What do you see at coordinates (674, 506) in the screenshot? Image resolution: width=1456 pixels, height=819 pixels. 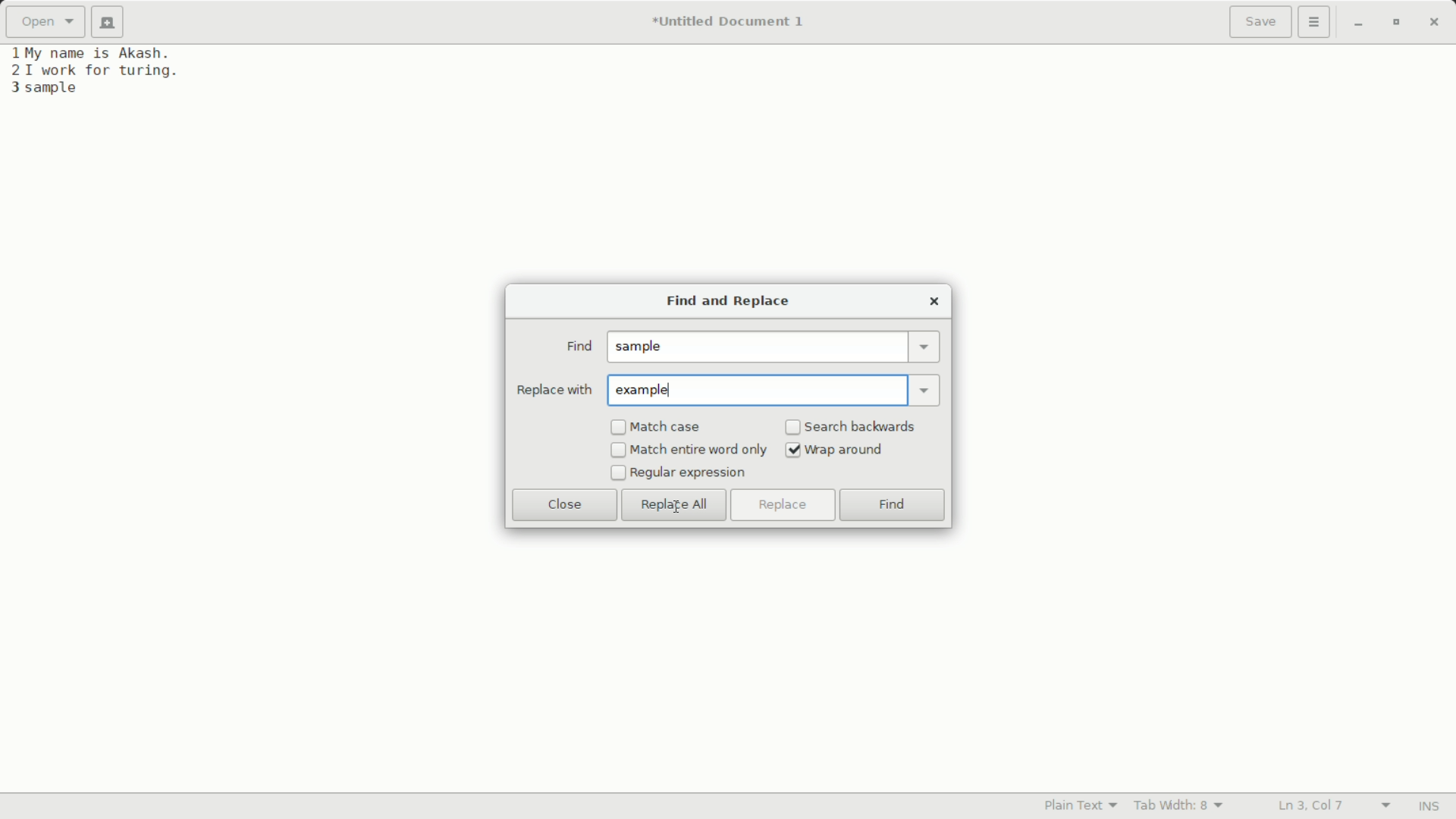 I see `replace all` at bounding box center [674, 506].